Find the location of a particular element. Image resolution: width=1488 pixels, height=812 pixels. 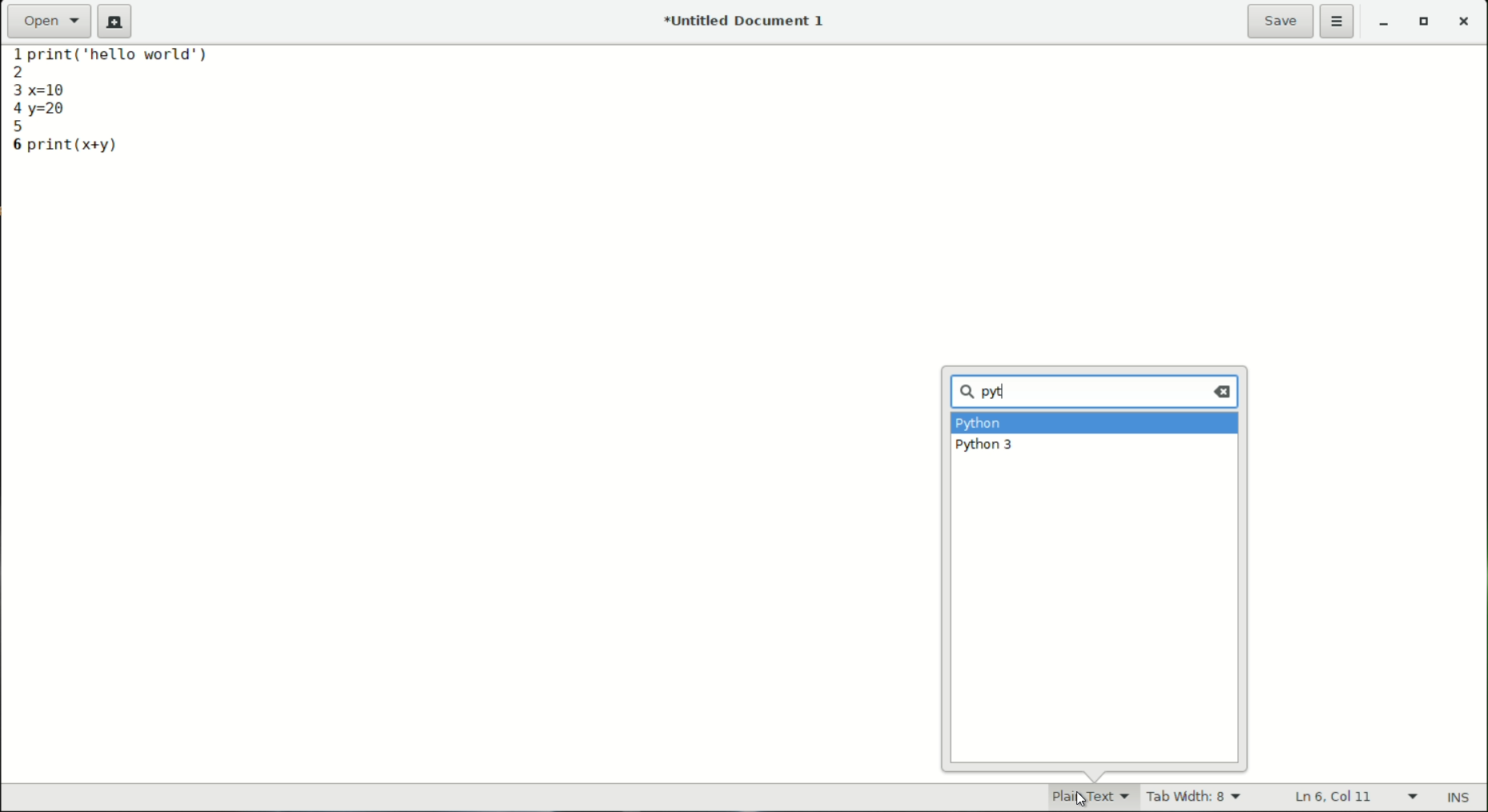

y equation  is located at coordinates (51, 110).